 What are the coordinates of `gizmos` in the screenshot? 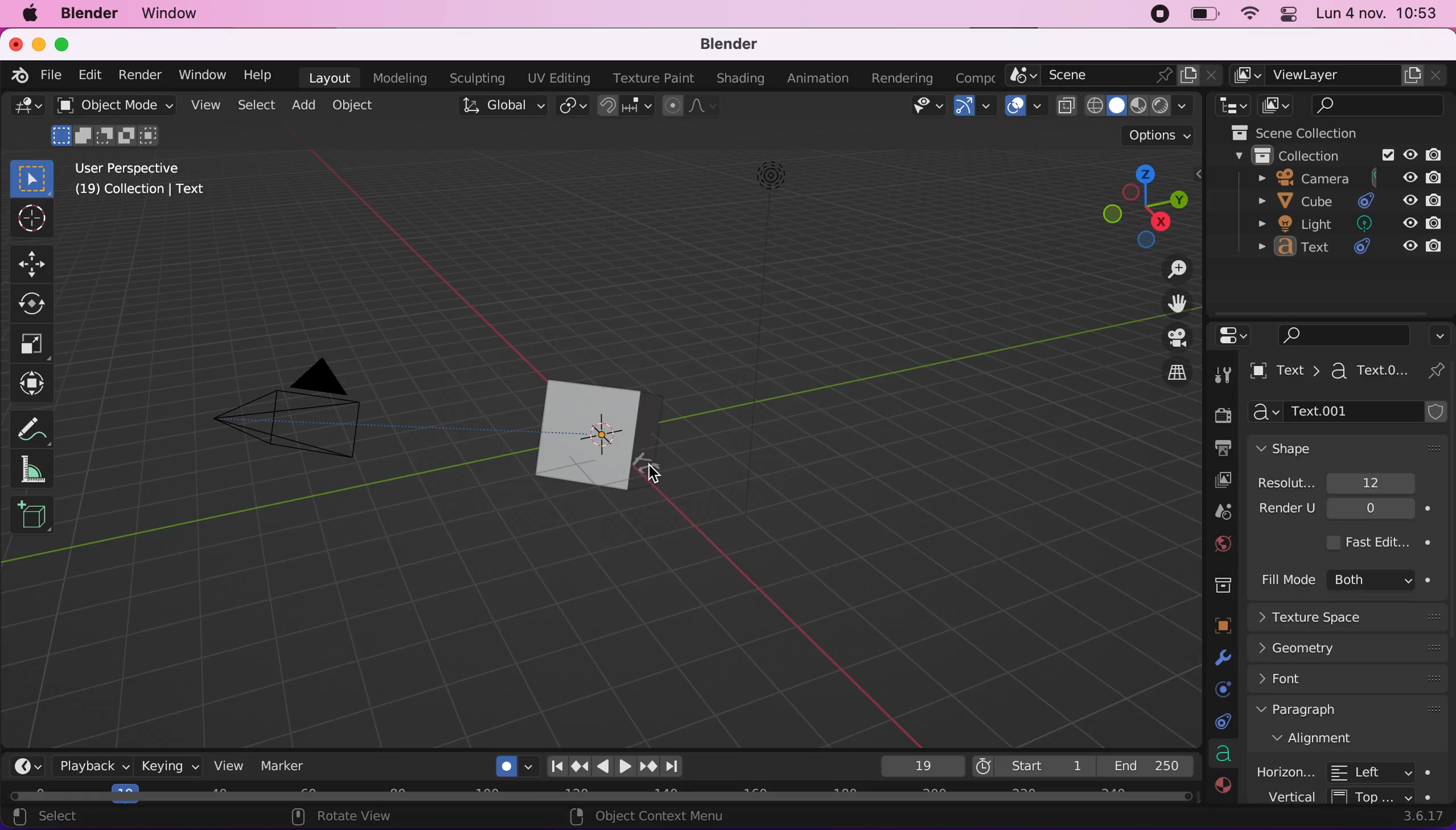 It's located at (974, 107).